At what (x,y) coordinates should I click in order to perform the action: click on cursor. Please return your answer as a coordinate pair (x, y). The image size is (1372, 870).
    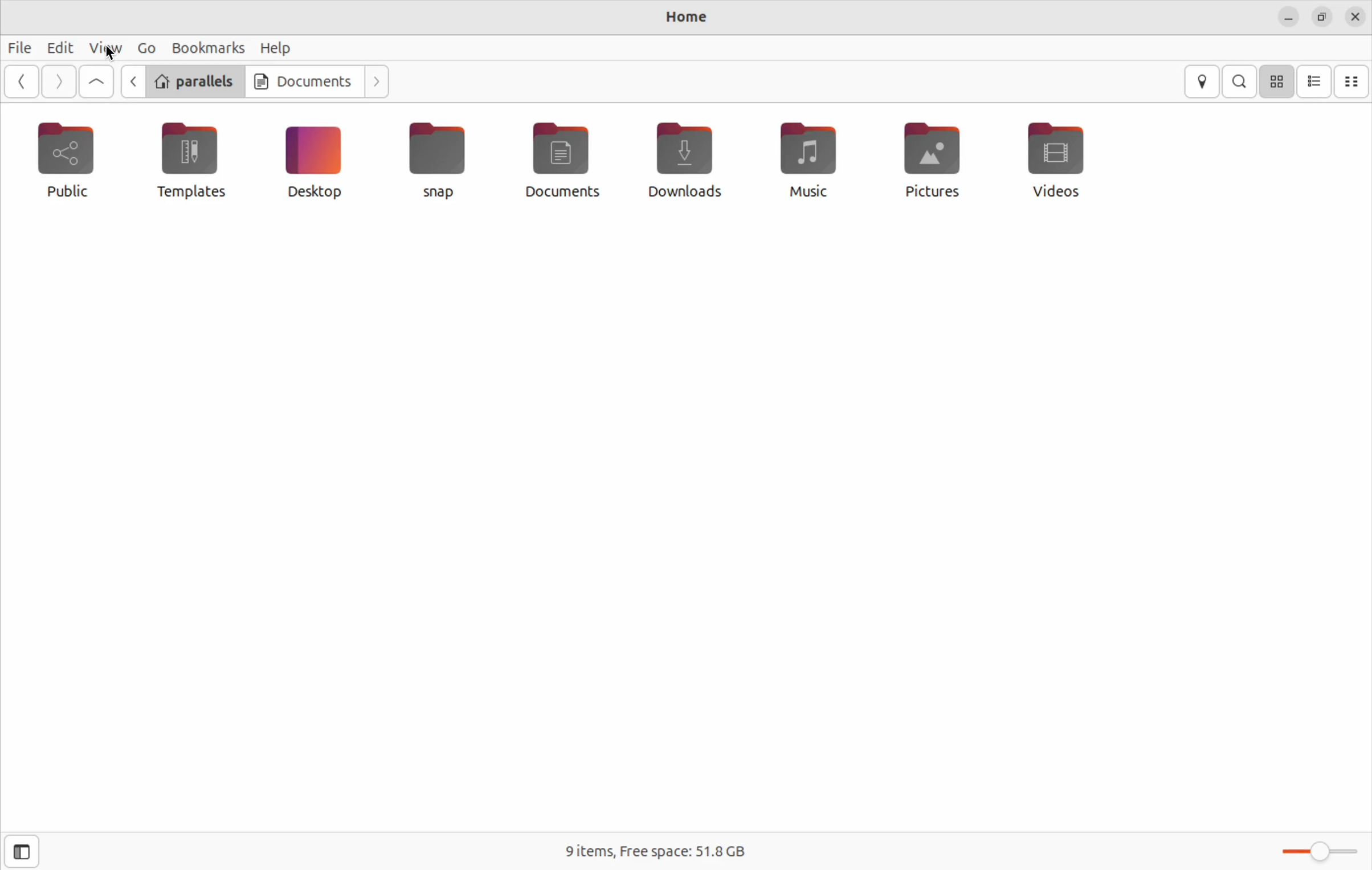
    Looking at the image, I should click on (109, 54).